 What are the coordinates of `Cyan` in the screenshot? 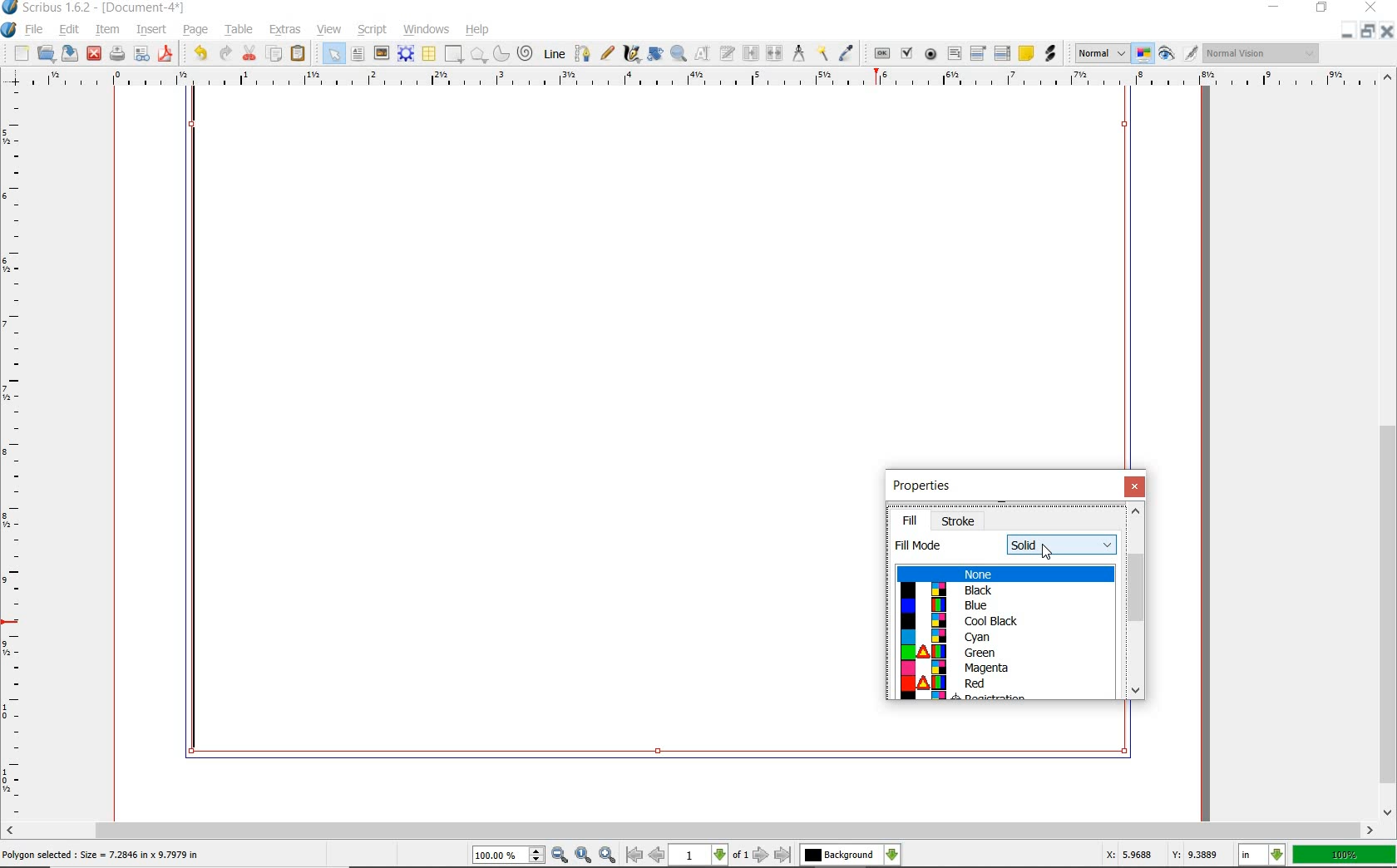 It's located at (1000, 638).